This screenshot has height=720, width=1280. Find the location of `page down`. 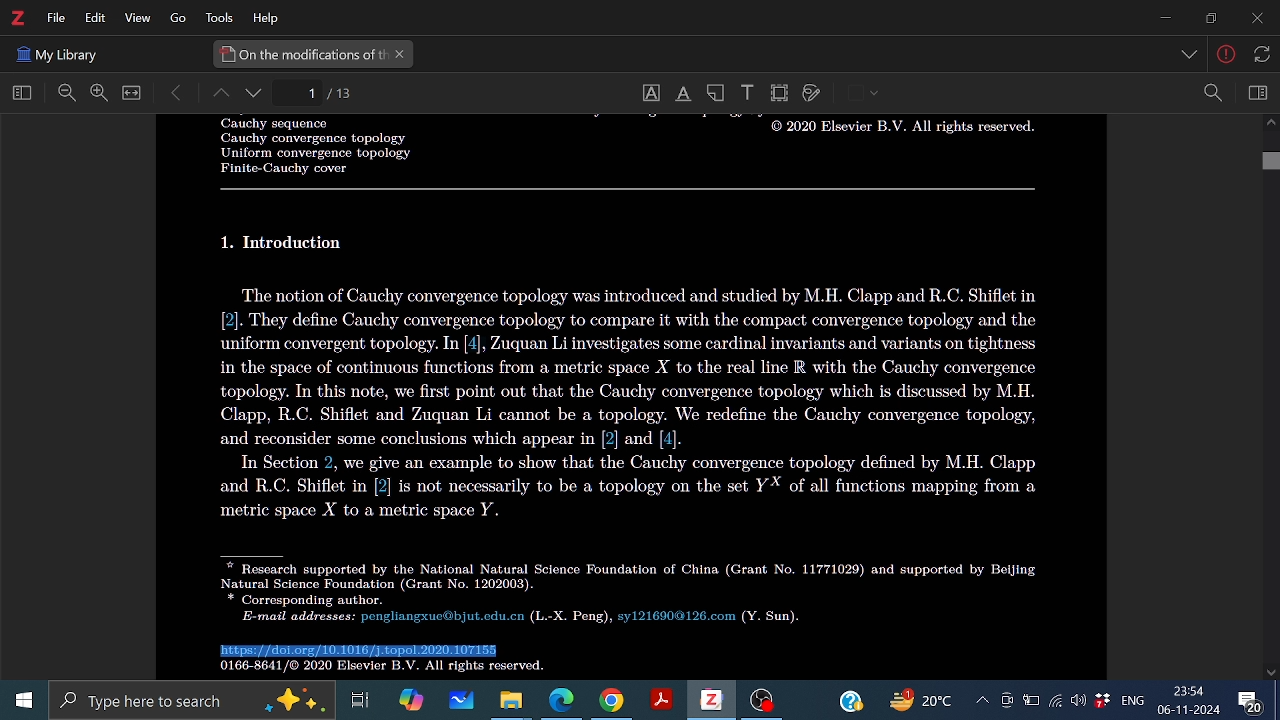

page down is located at coordinates (256, 95).